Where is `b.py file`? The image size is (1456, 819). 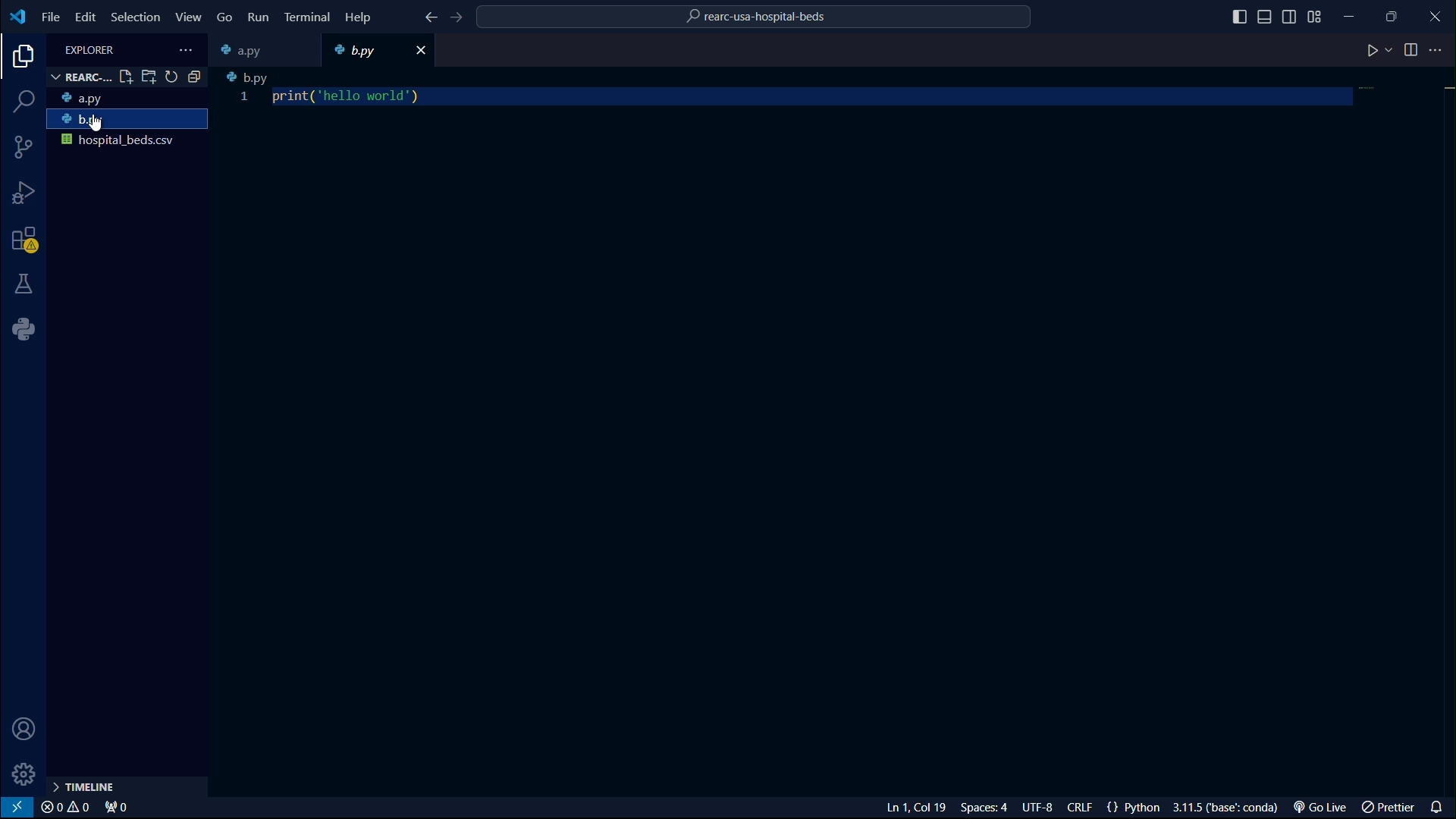
b.py file is located at coordinates (357, 52).